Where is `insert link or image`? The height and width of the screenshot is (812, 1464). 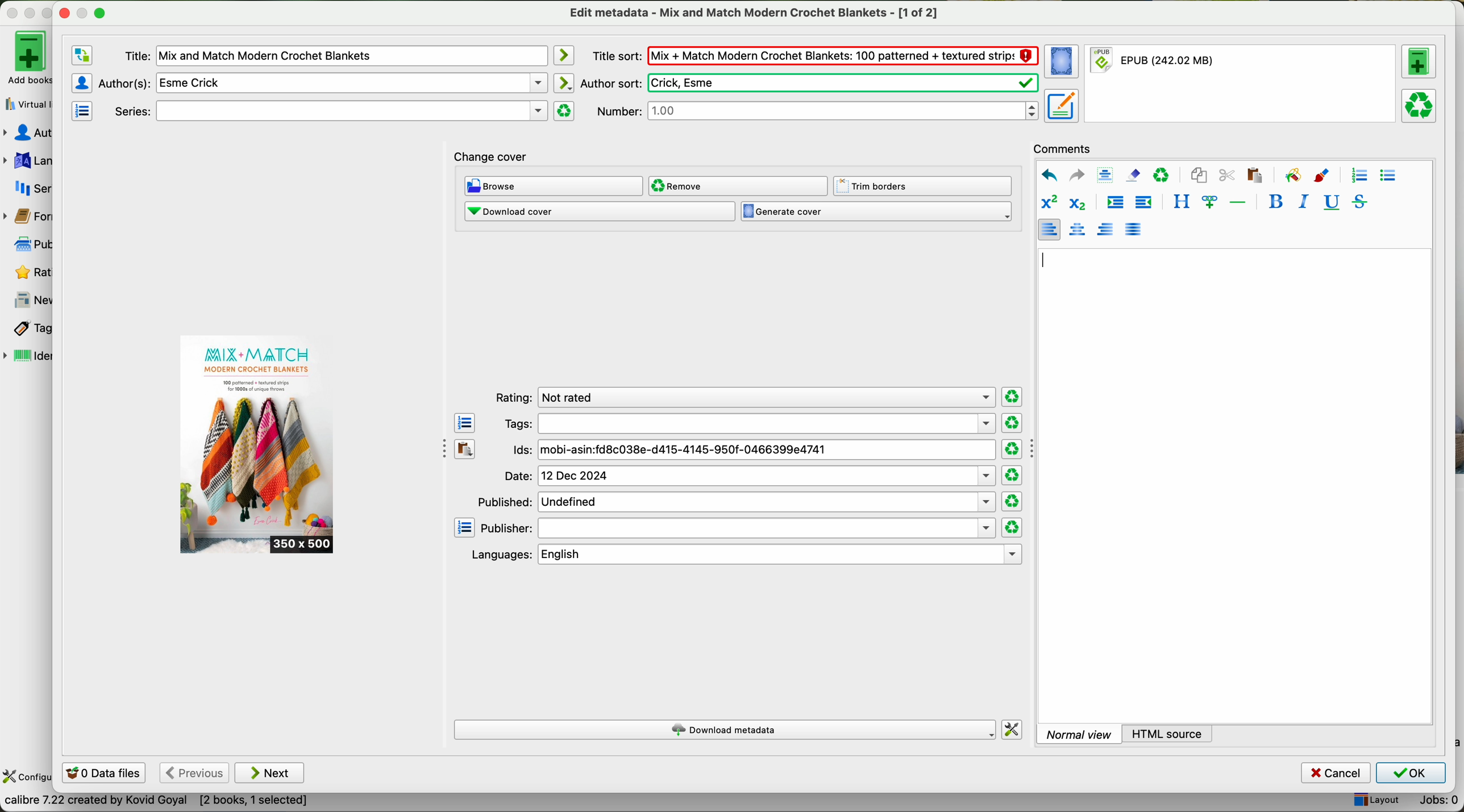 insert link or image is located at coordinates (1209, 202).